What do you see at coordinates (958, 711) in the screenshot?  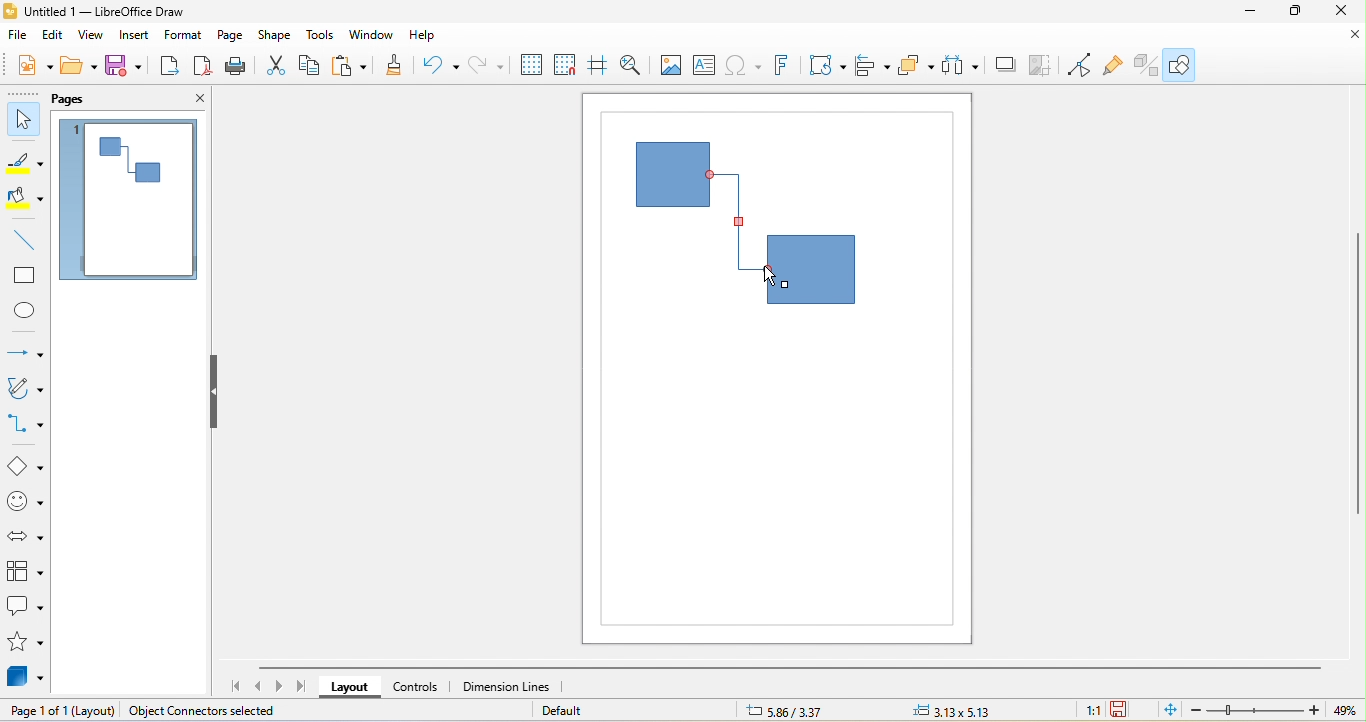 I see `3.13 x5.13` at bounding box center [958, 711].